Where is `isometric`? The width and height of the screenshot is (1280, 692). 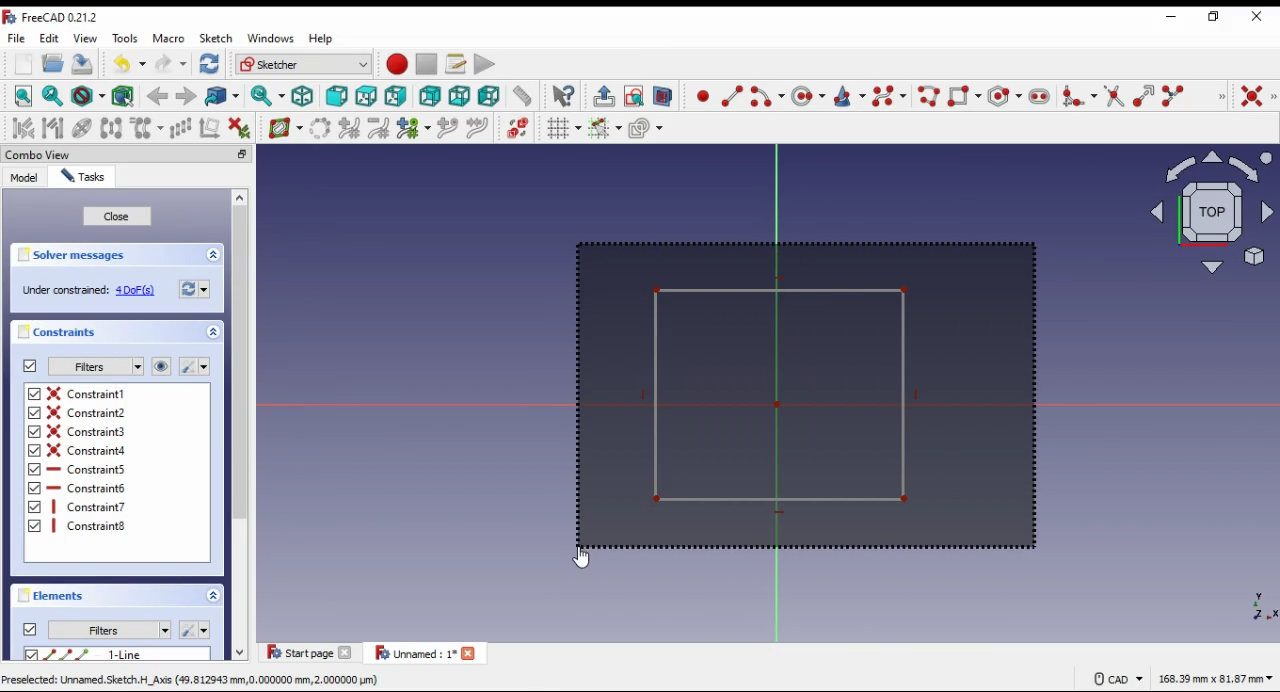 isometric is located at coordinates (303, 96).